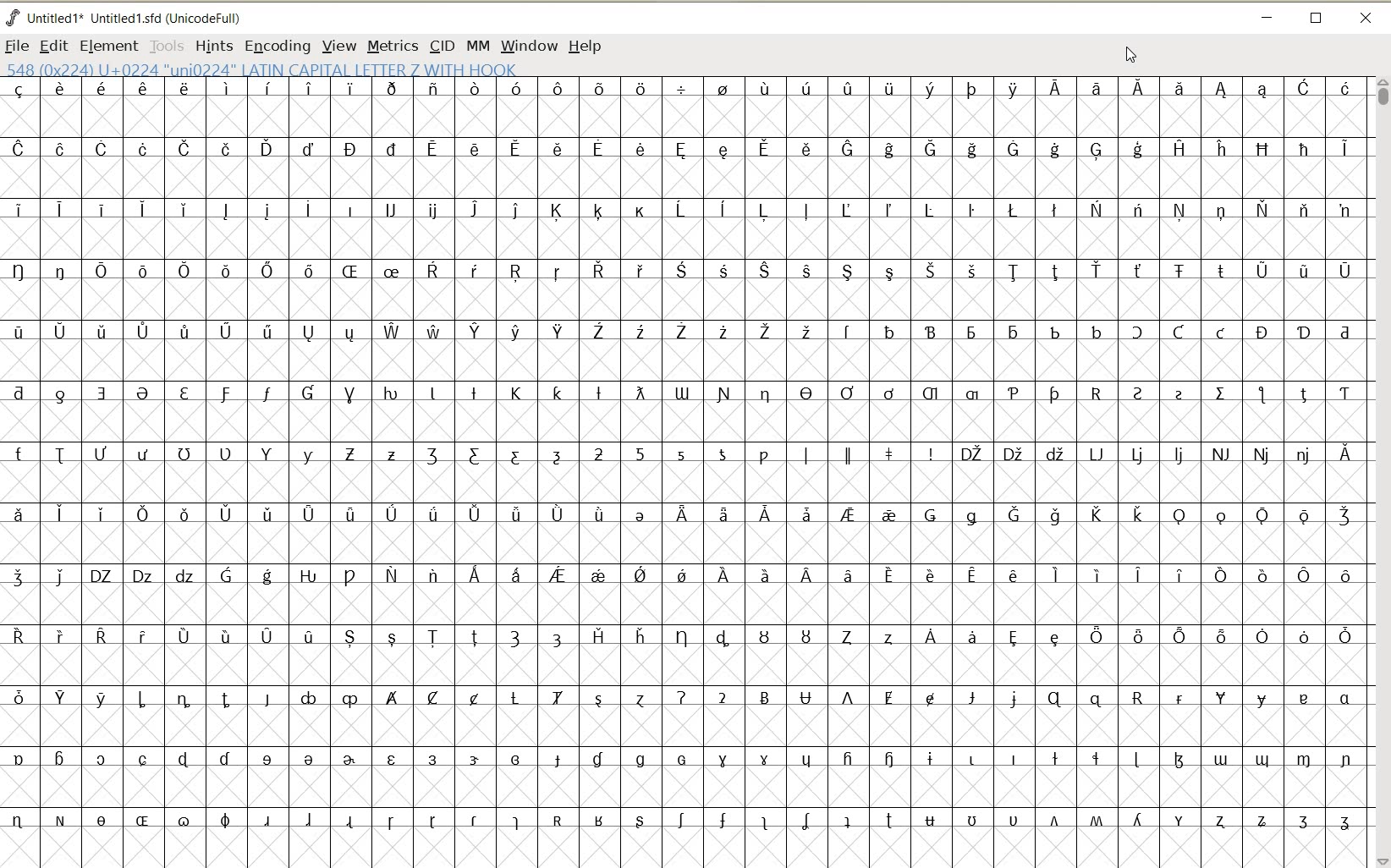  I want to click on SCROLLBAR, so click(1381, 472).